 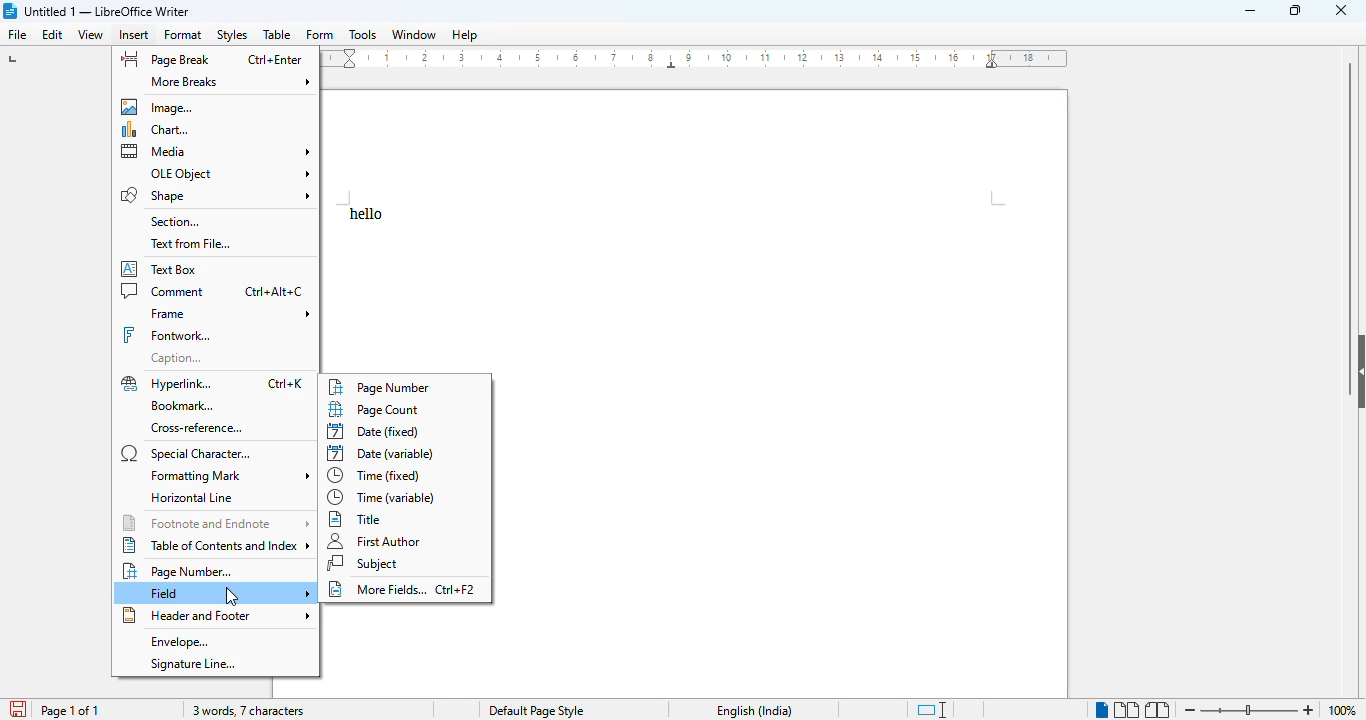 What do you see at coordinates (18, 709) in the screenshot?
I see `click to save document` at bounding box center [18, 709].